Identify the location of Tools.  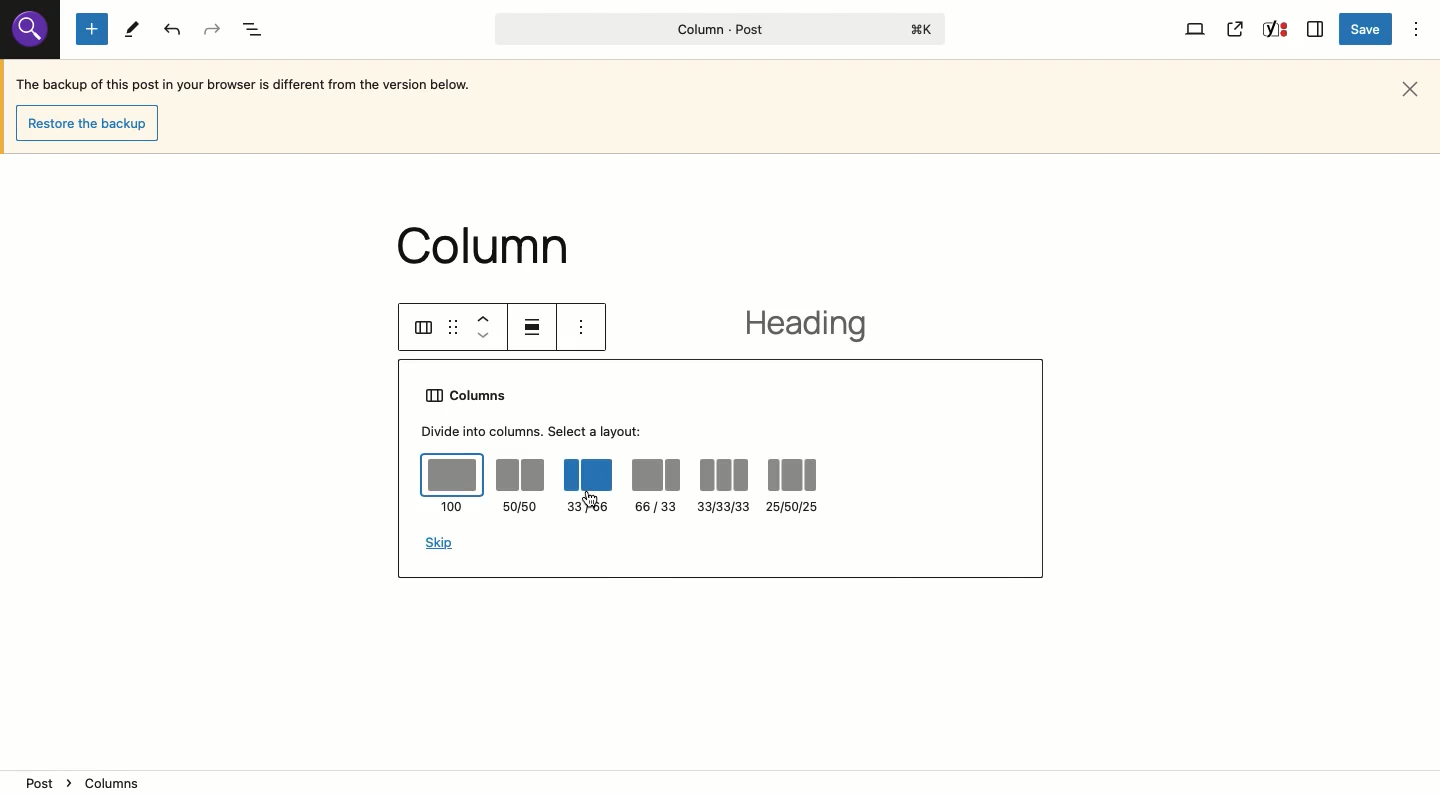
(132, 30).